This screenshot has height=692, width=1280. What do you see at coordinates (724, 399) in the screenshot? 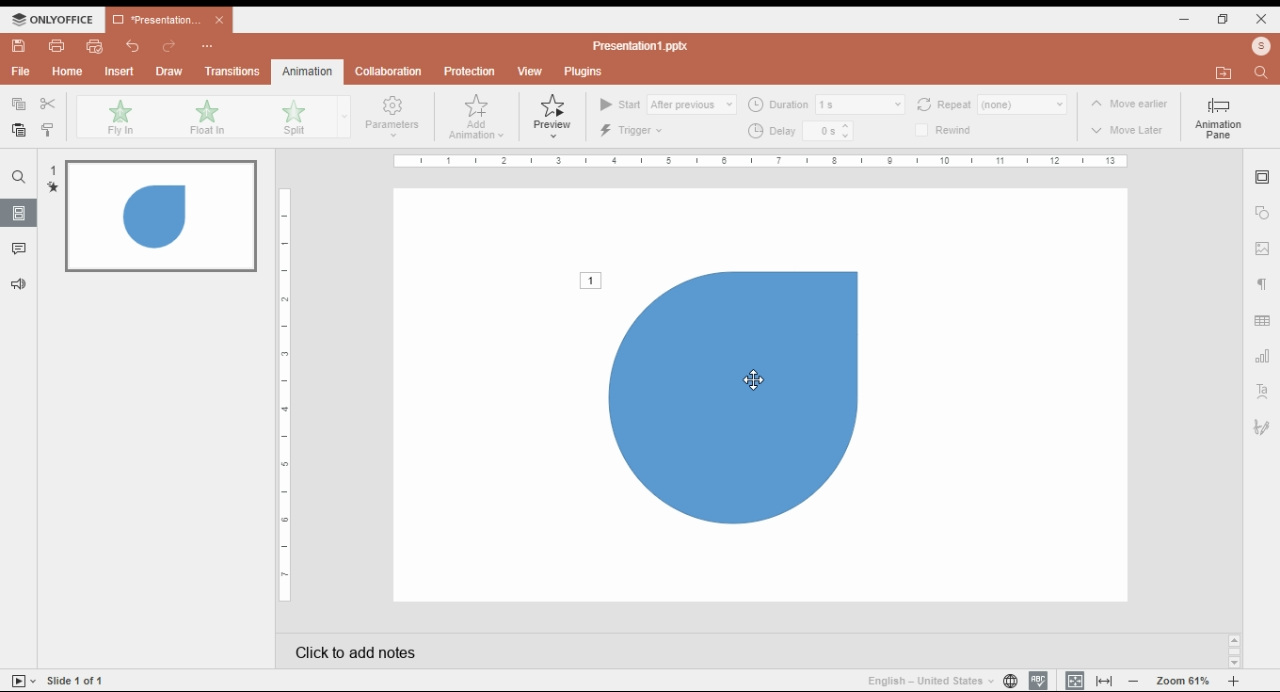
I see `shape` at bounding box center [724, 399].